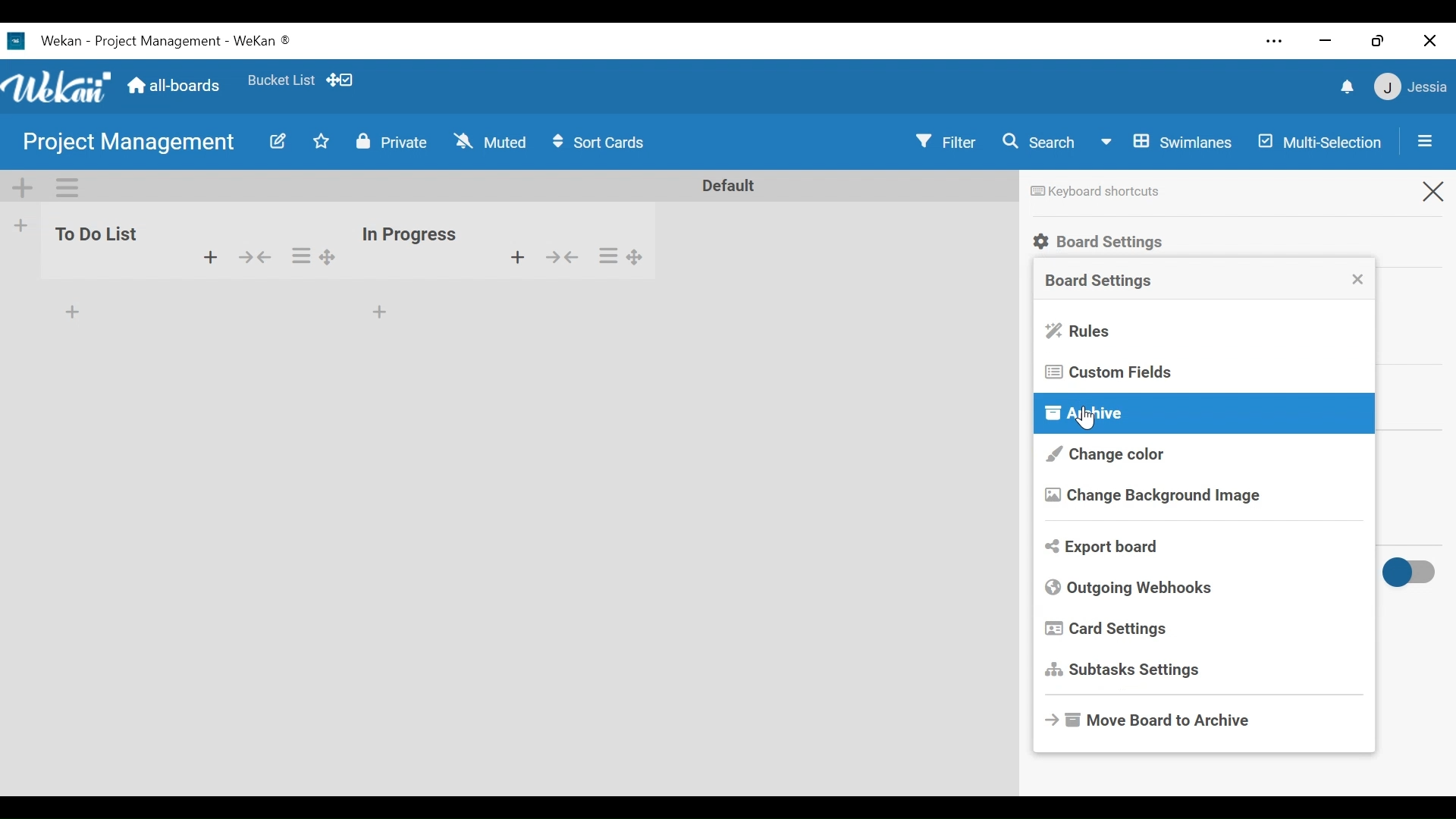 This screenshot has height=819, width=1456. What do you see at coordinates (24, 188) in the screenshot?
I see `Add Swimlane` at bounding box center [24, 188].